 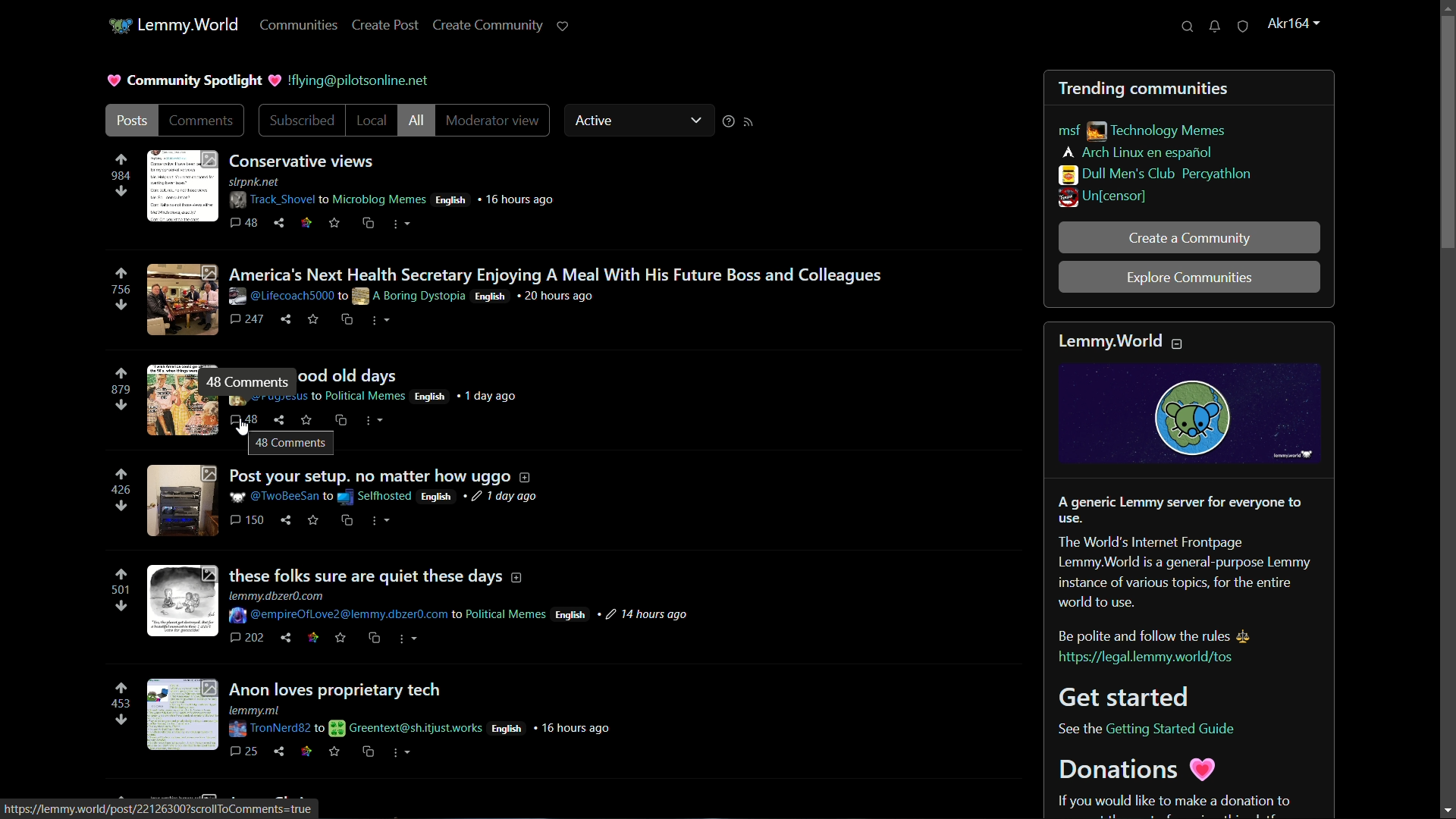 What do you see at coordinates (1190, 278) in the screenshot?
I see `explore communities` at bounding box center [1190, 278].